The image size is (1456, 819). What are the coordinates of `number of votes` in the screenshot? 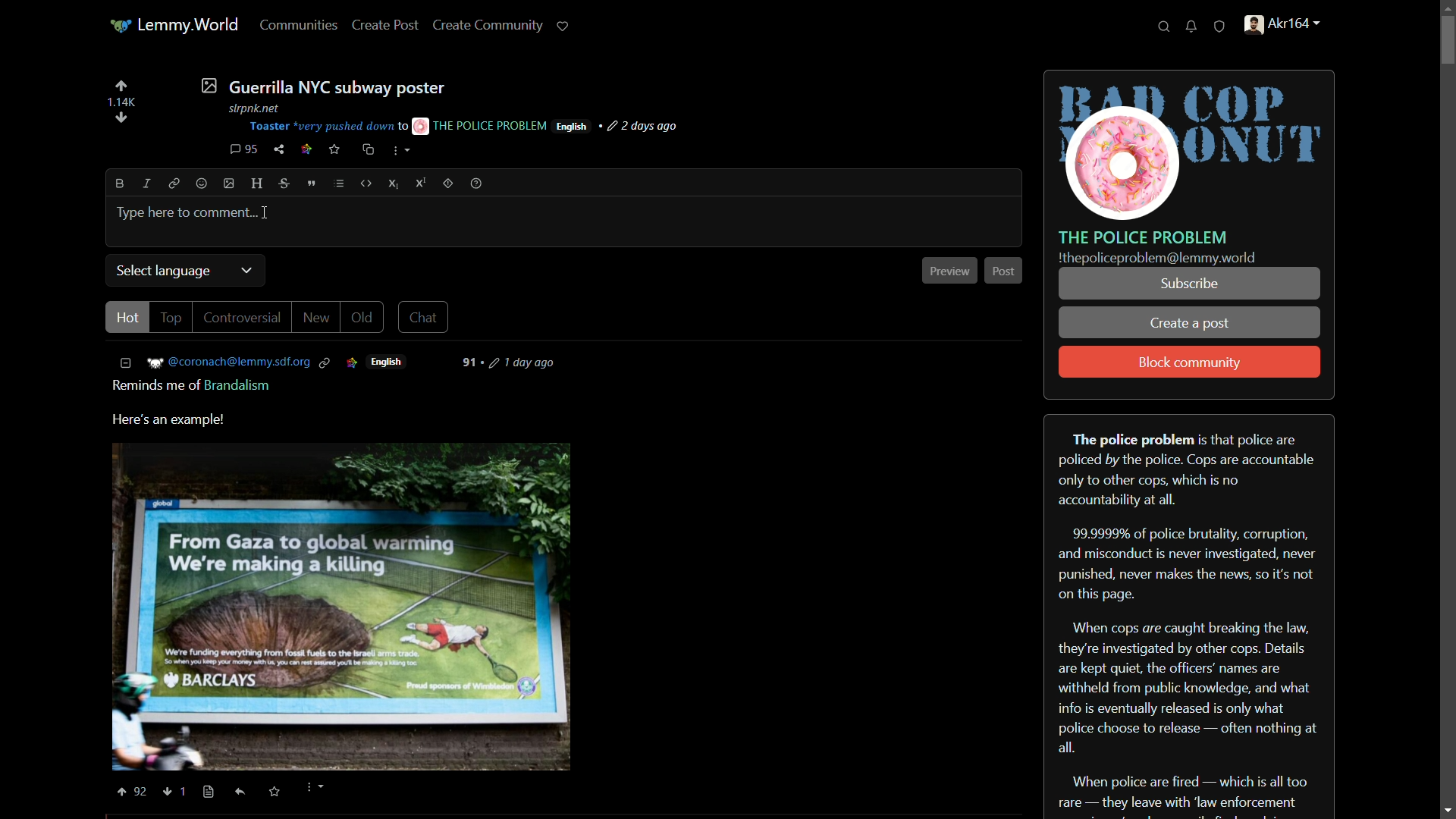 It's located at (121, 102).